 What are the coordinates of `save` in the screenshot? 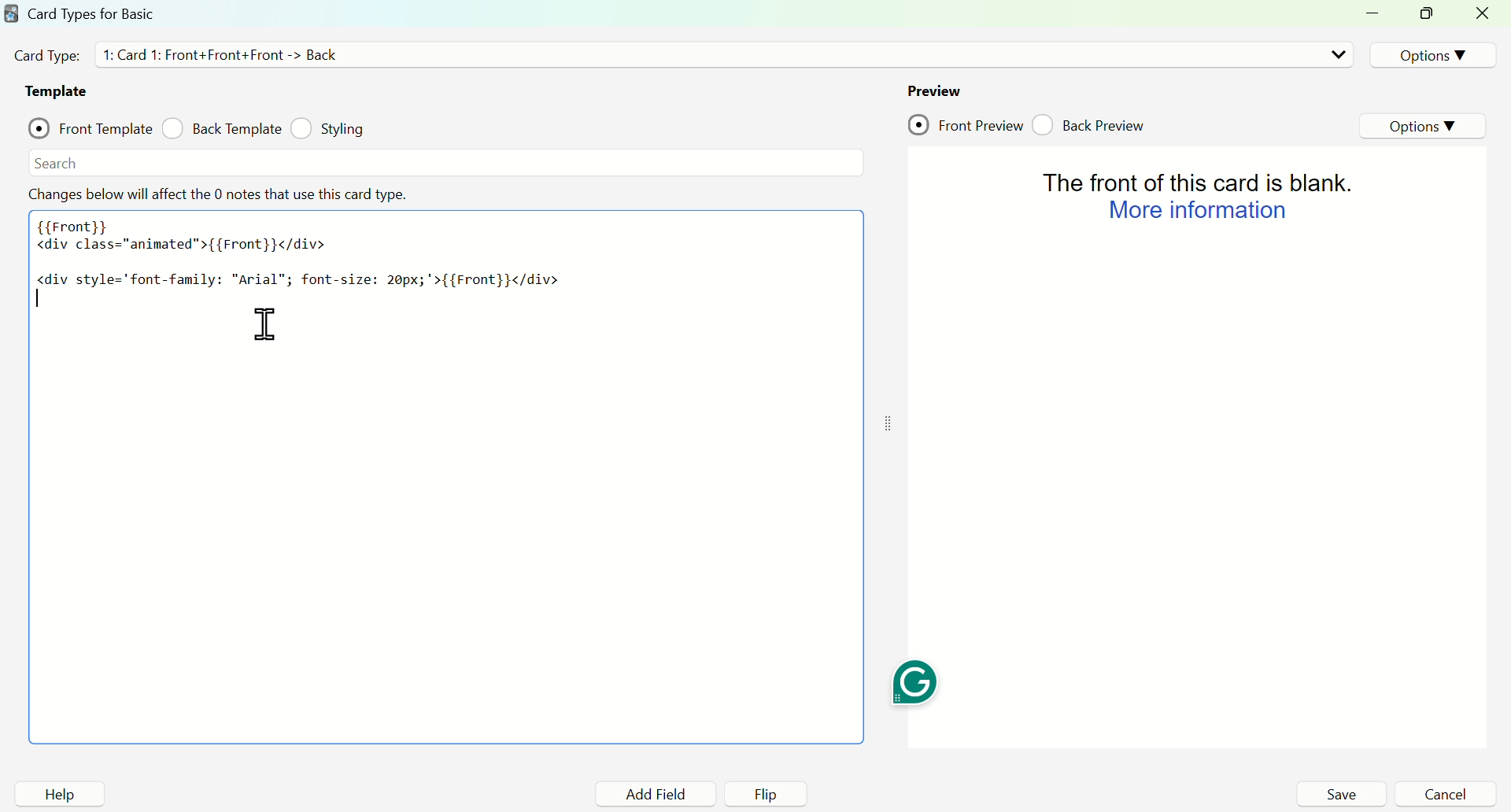 It's located at (1340, 794).